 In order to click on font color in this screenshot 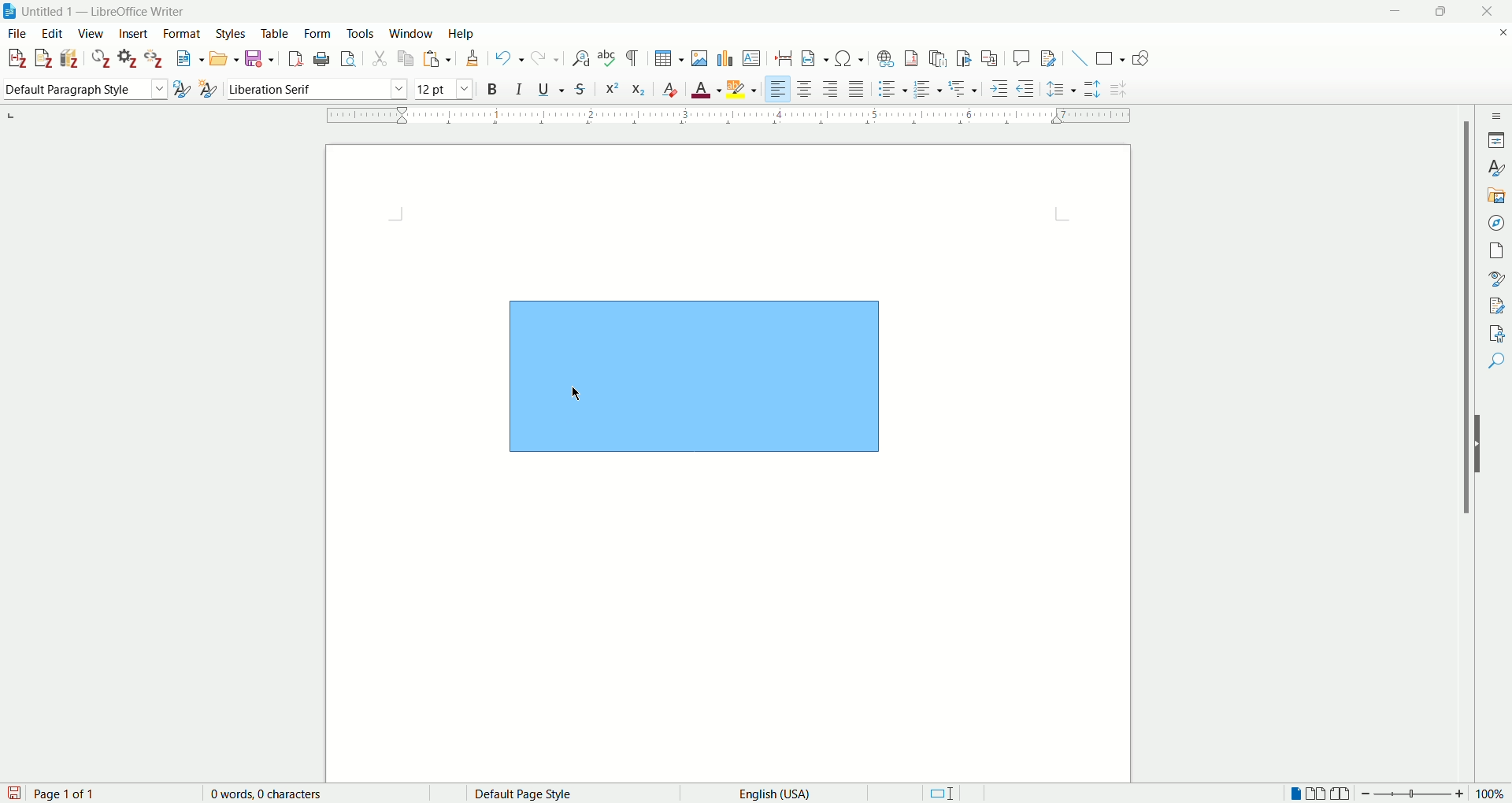, I will do `click(709, 87)`.